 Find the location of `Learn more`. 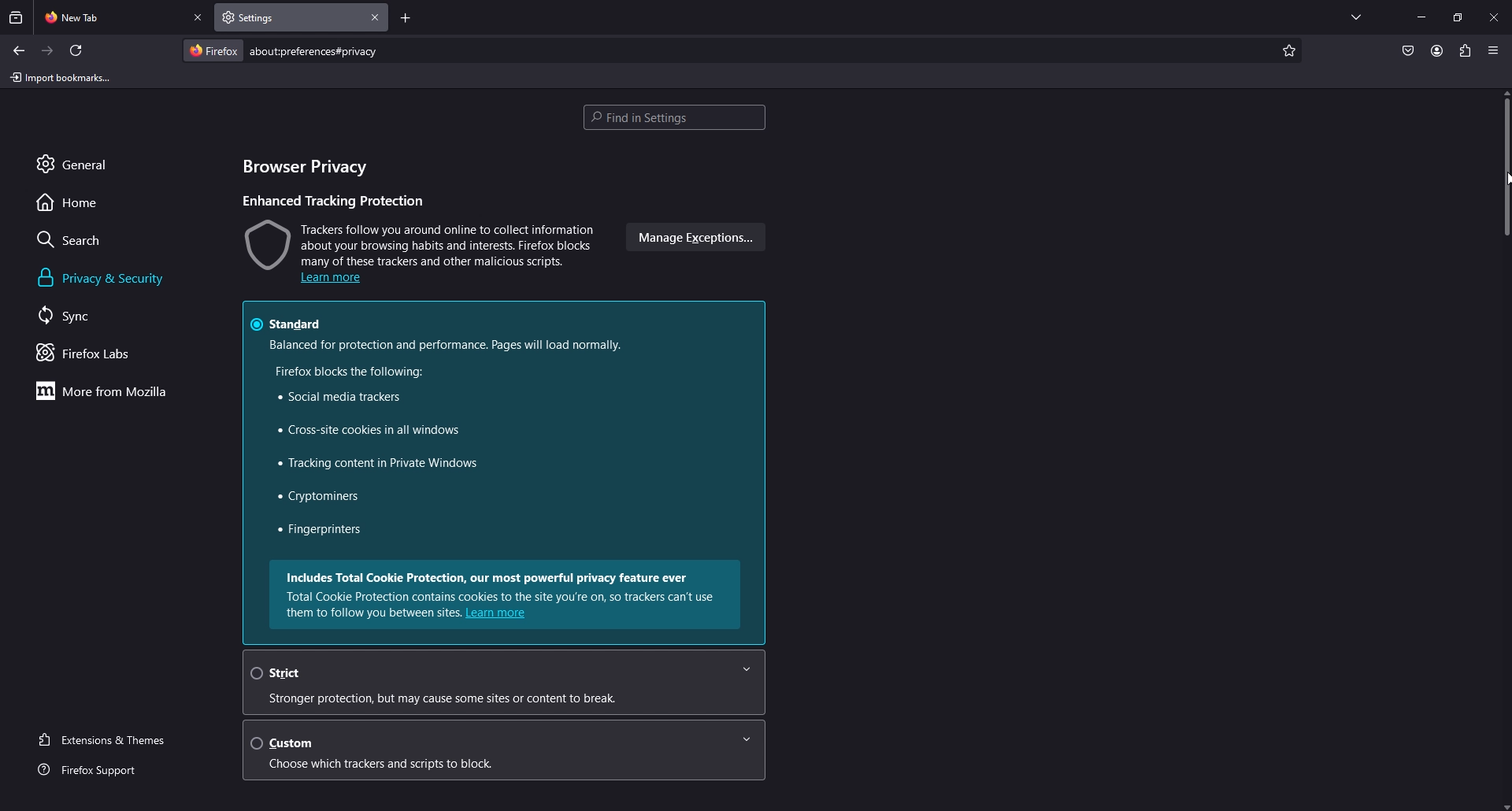

Learn more is located at coordinates (331, 280).